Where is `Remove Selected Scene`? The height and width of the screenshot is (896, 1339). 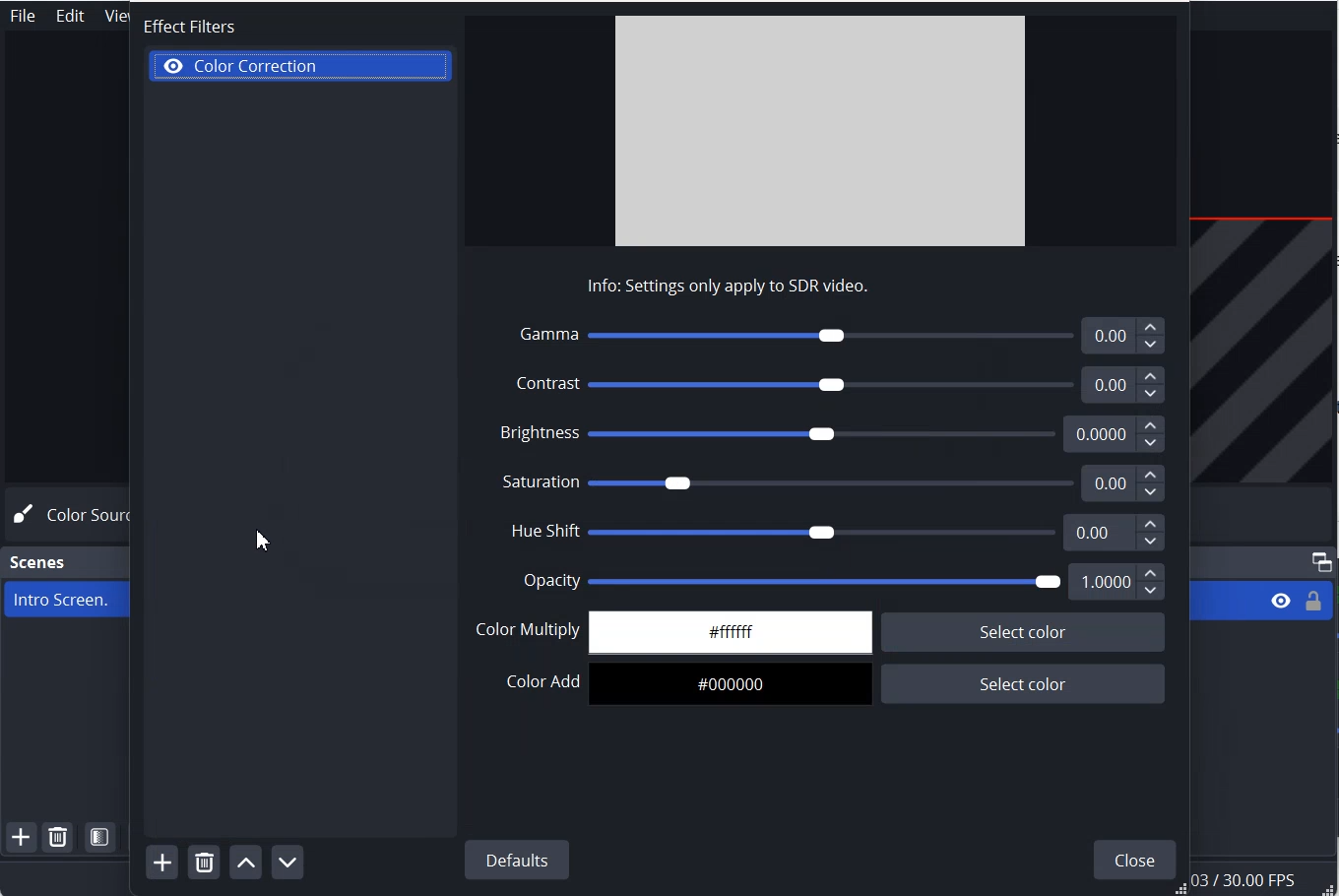 Remove Selected Scene is located at coordinates (60, 837).